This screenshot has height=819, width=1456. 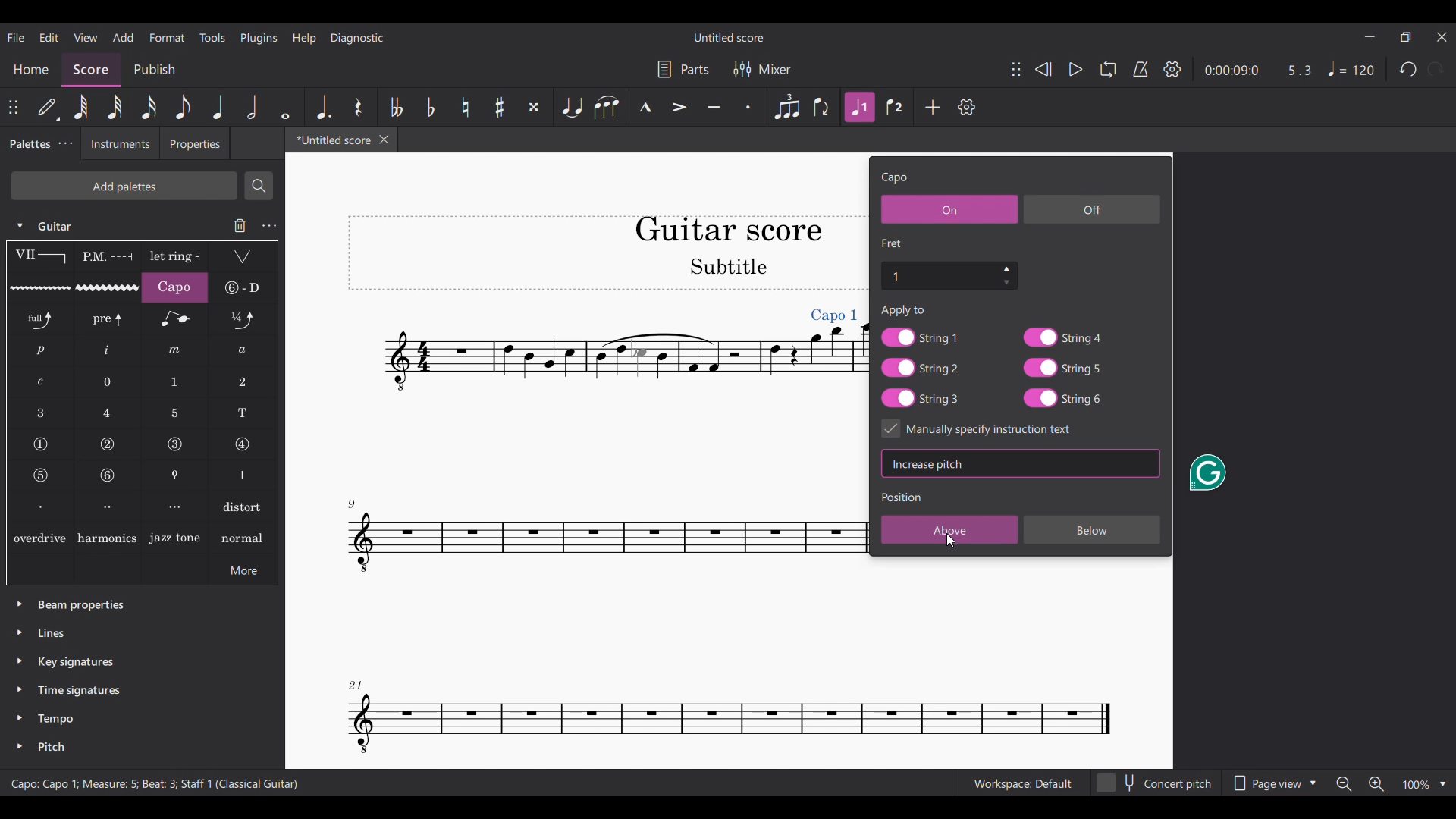 I want to click on Text typed in, so click(x=929, y=464).